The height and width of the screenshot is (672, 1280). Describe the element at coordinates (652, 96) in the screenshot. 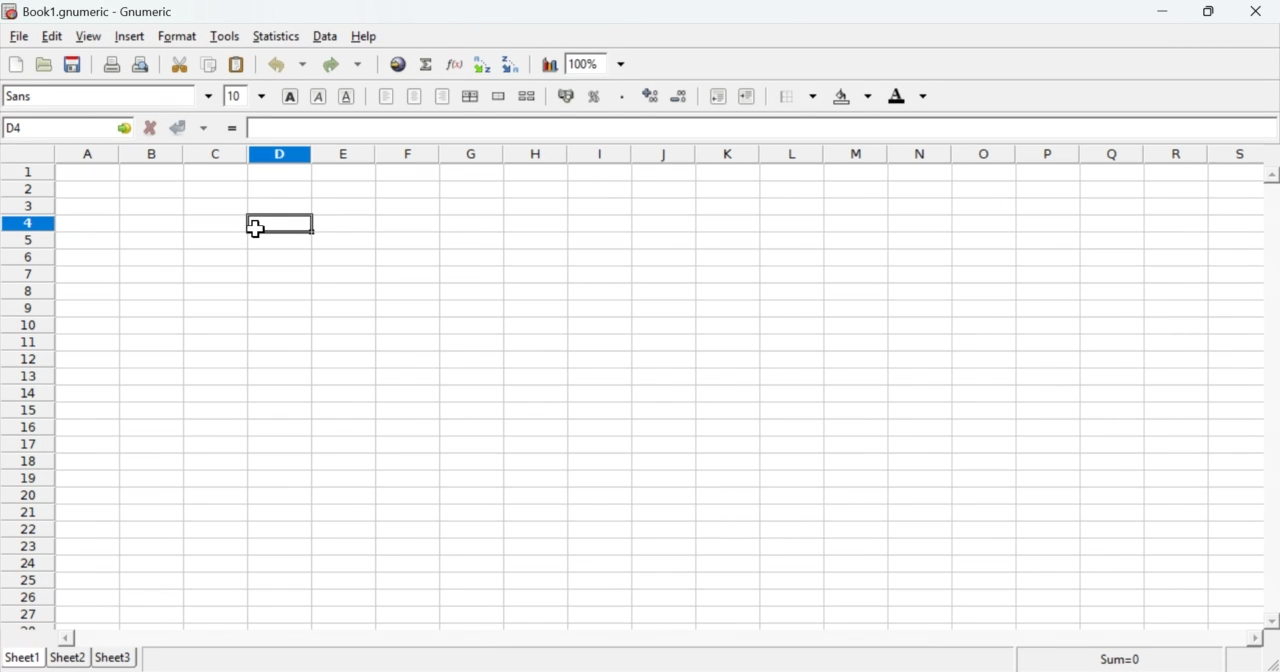

I see `Increase number of decimals` at that location.